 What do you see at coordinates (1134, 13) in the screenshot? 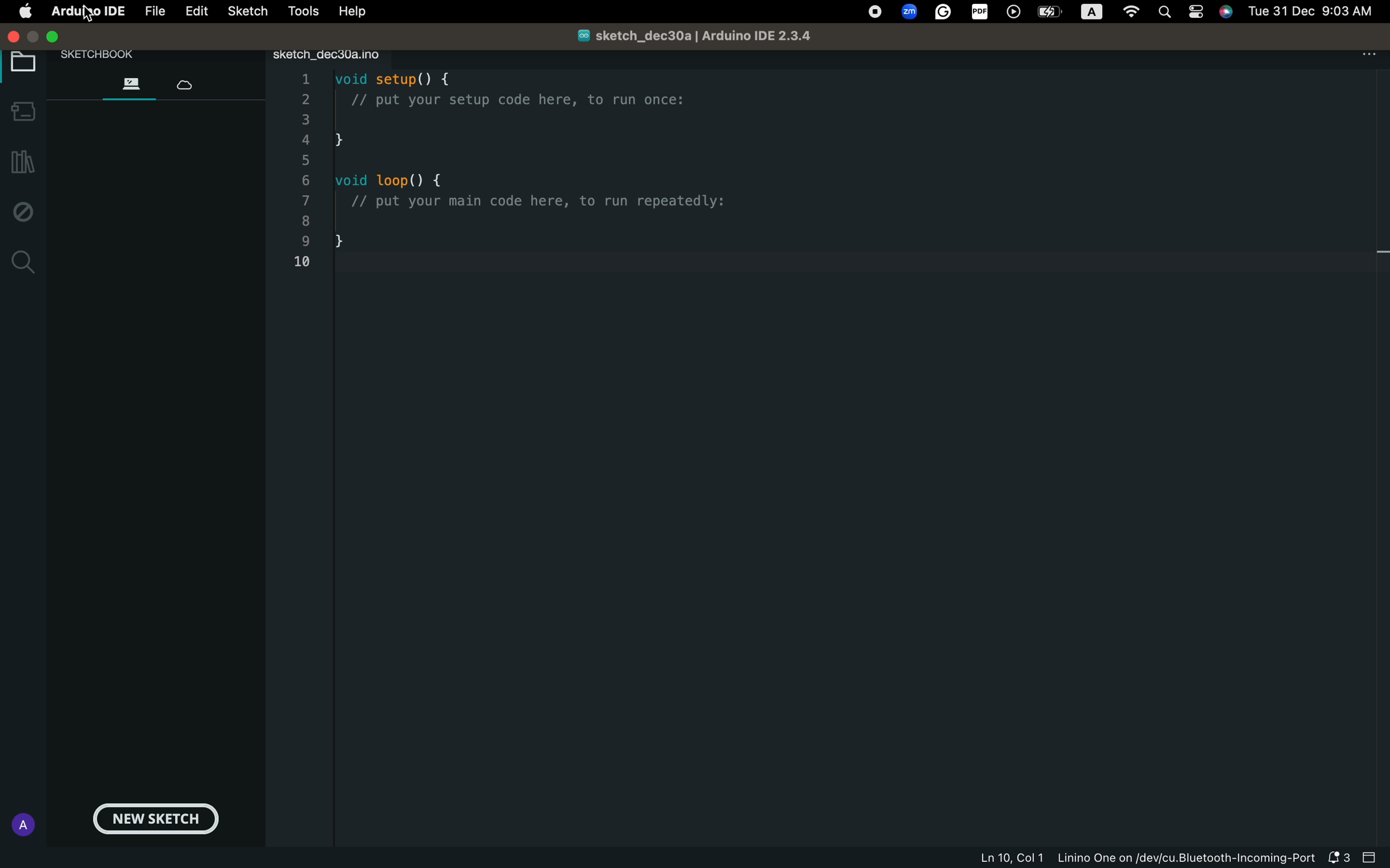
I see `WIfi` at bounding box center [1134, 13].